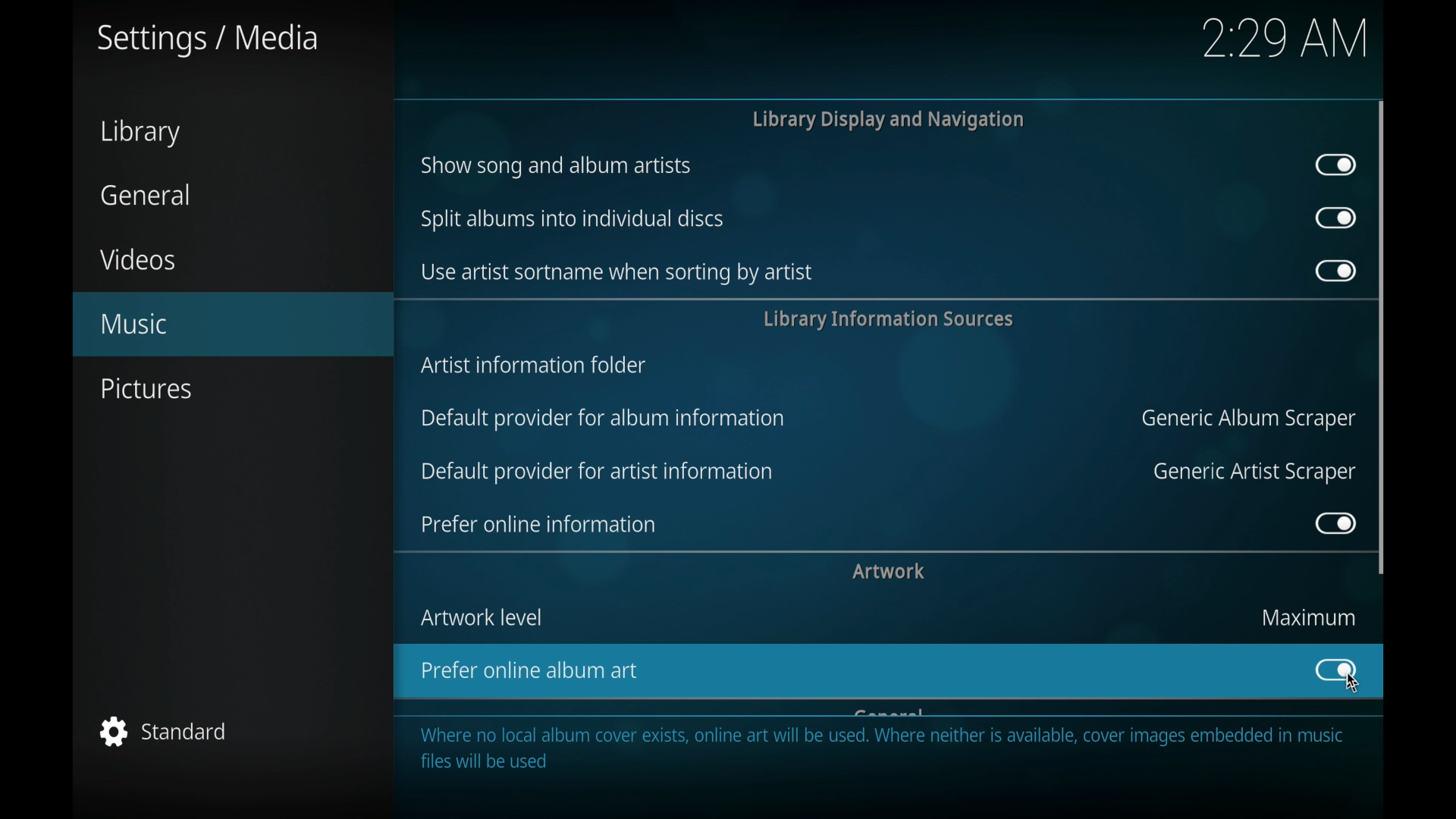  Describe the element at coordinates (886, 119) in the screenshot. I see `library display and navigation` at that location.